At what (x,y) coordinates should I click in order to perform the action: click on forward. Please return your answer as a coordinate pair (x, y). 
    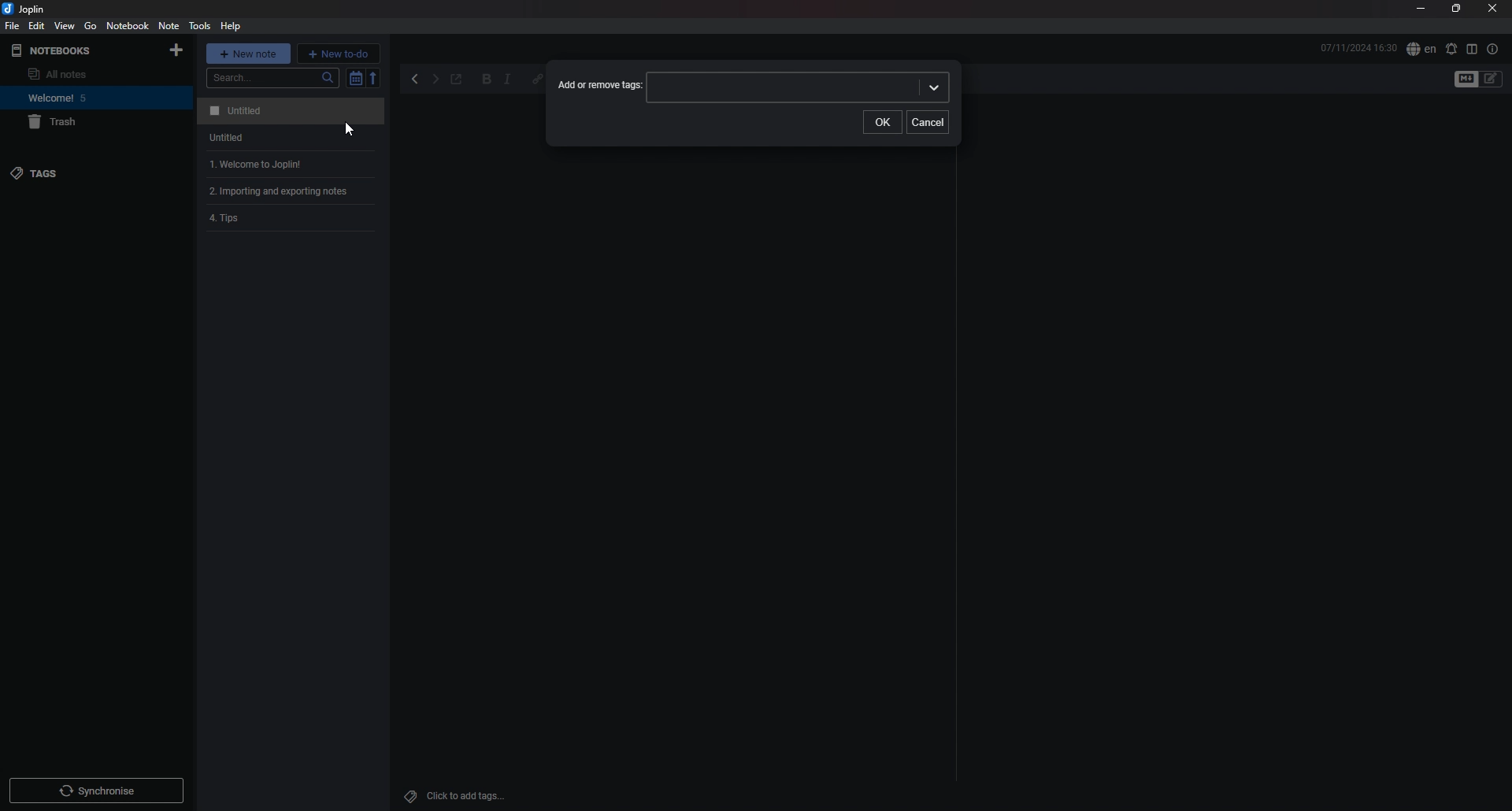
    Looking at the image, I should click on (435, 81).